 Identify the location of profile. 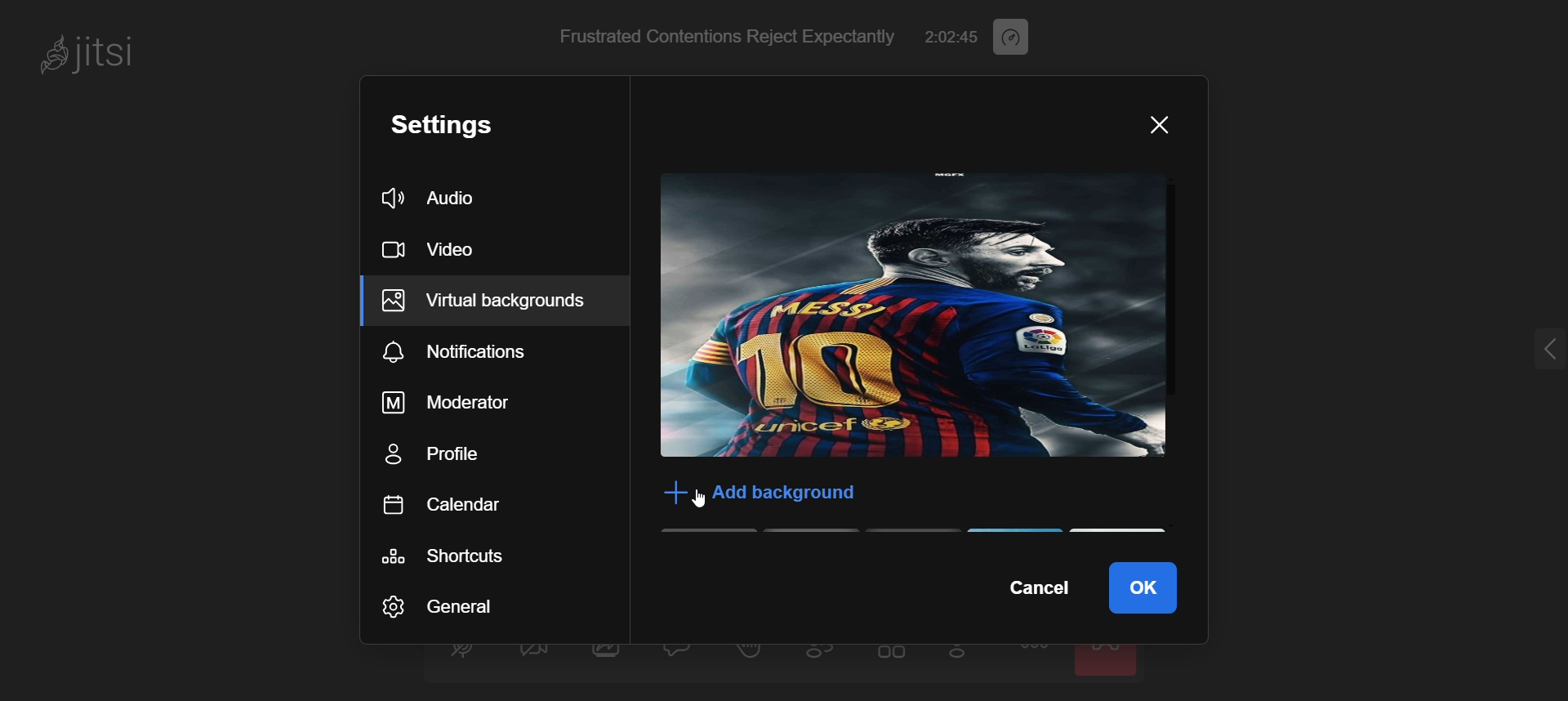
(472, 453).